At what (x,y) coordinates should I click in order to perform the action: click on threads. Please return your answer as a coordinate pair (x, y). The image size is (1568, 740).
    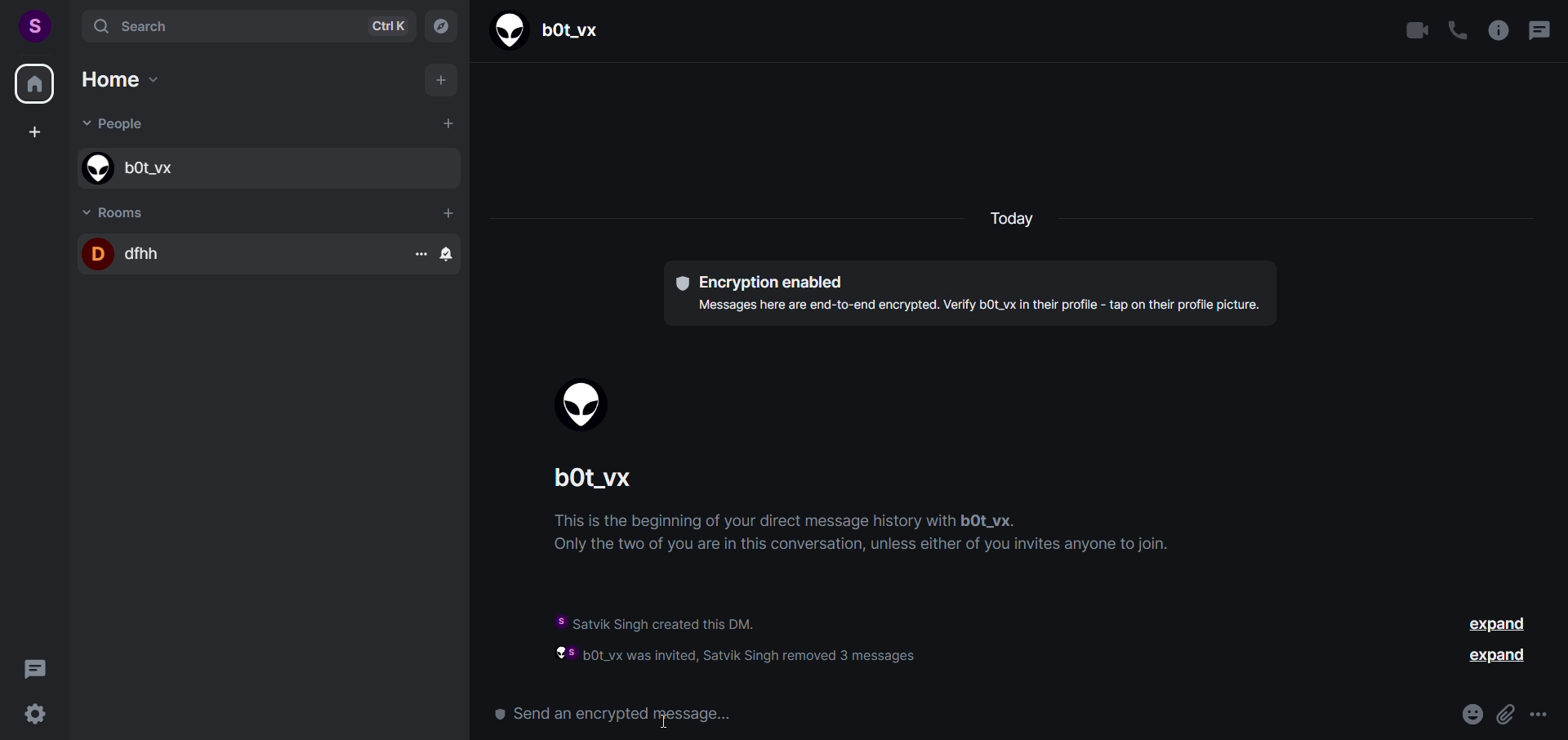
    Looking at the image, I should click on (35, 666).